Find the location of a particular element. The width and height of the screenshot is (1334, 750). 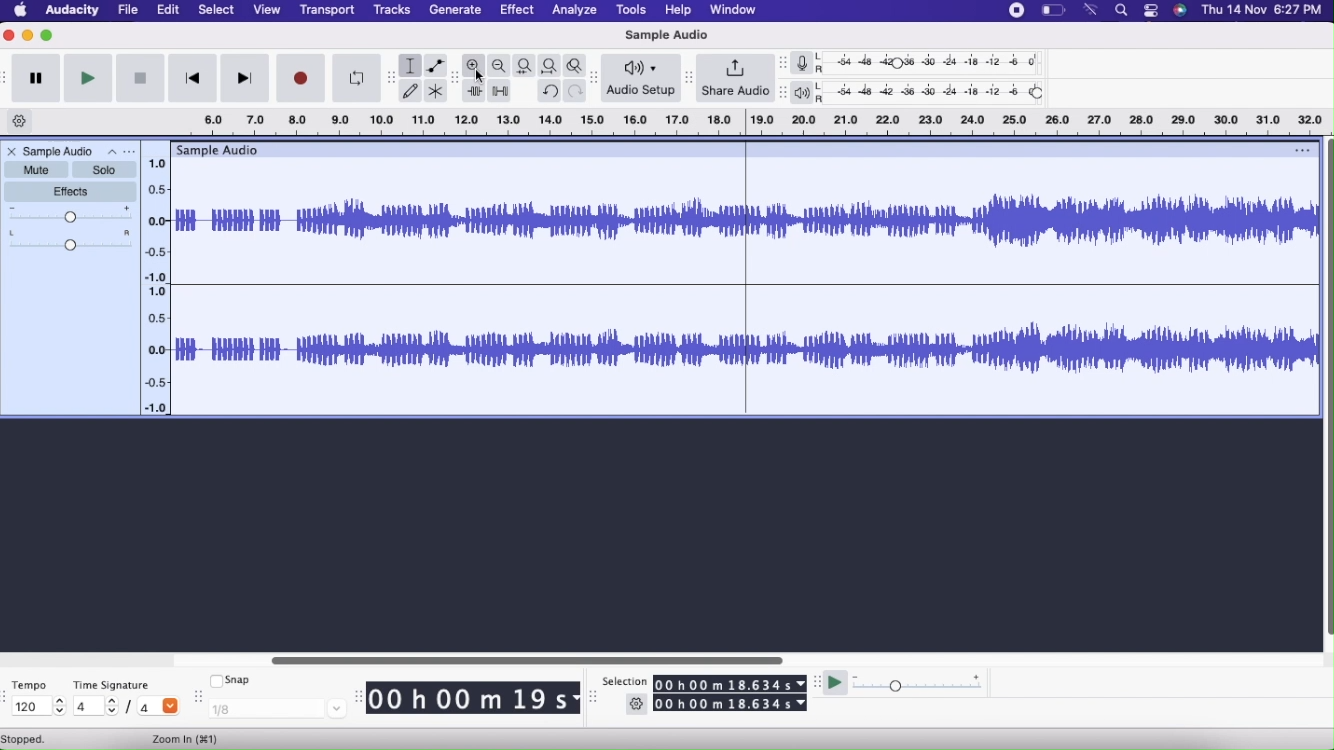

Skip to start is located at coordinates (193, 78).